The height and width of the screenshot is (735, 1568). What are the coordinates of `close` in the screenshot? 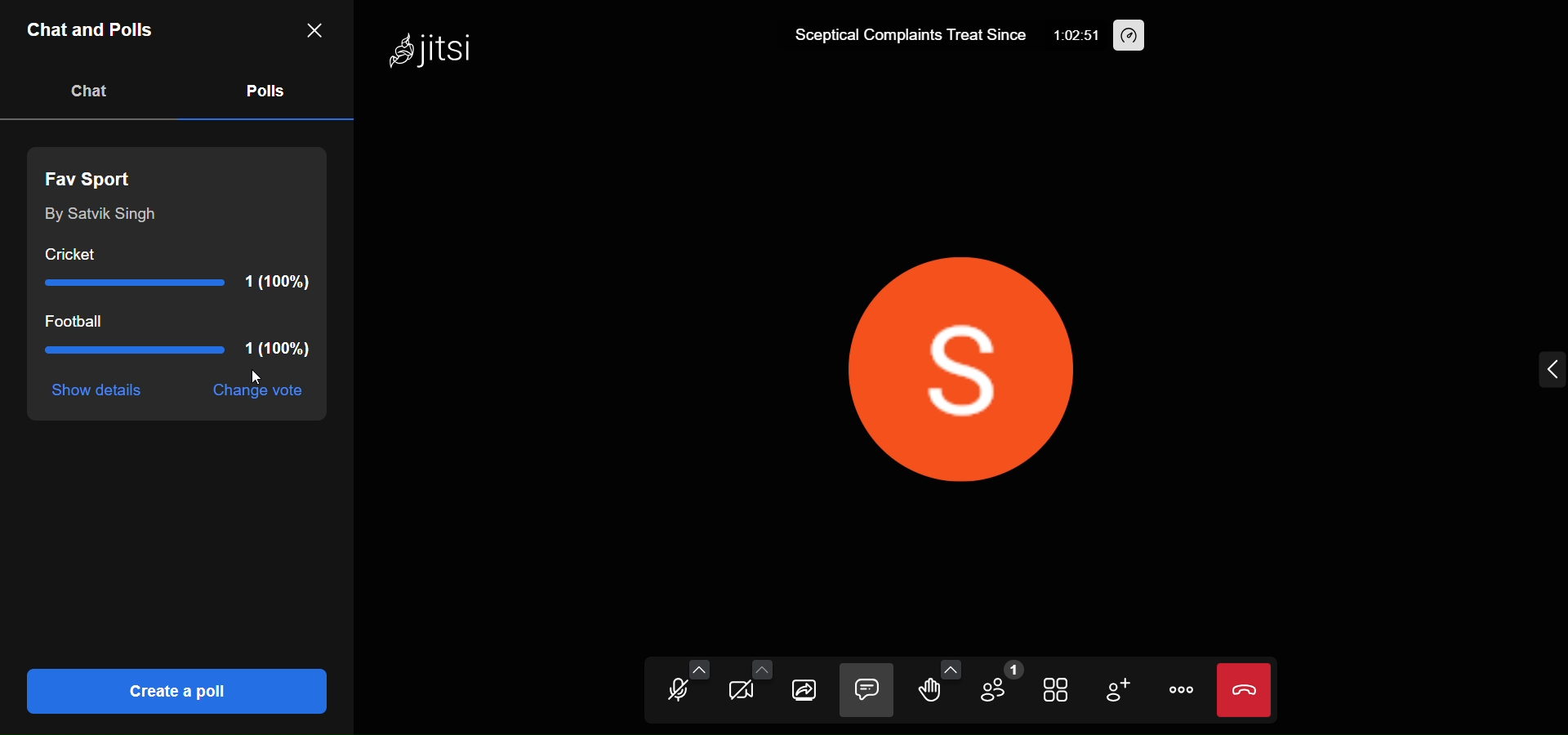 It's located at (313, 29).